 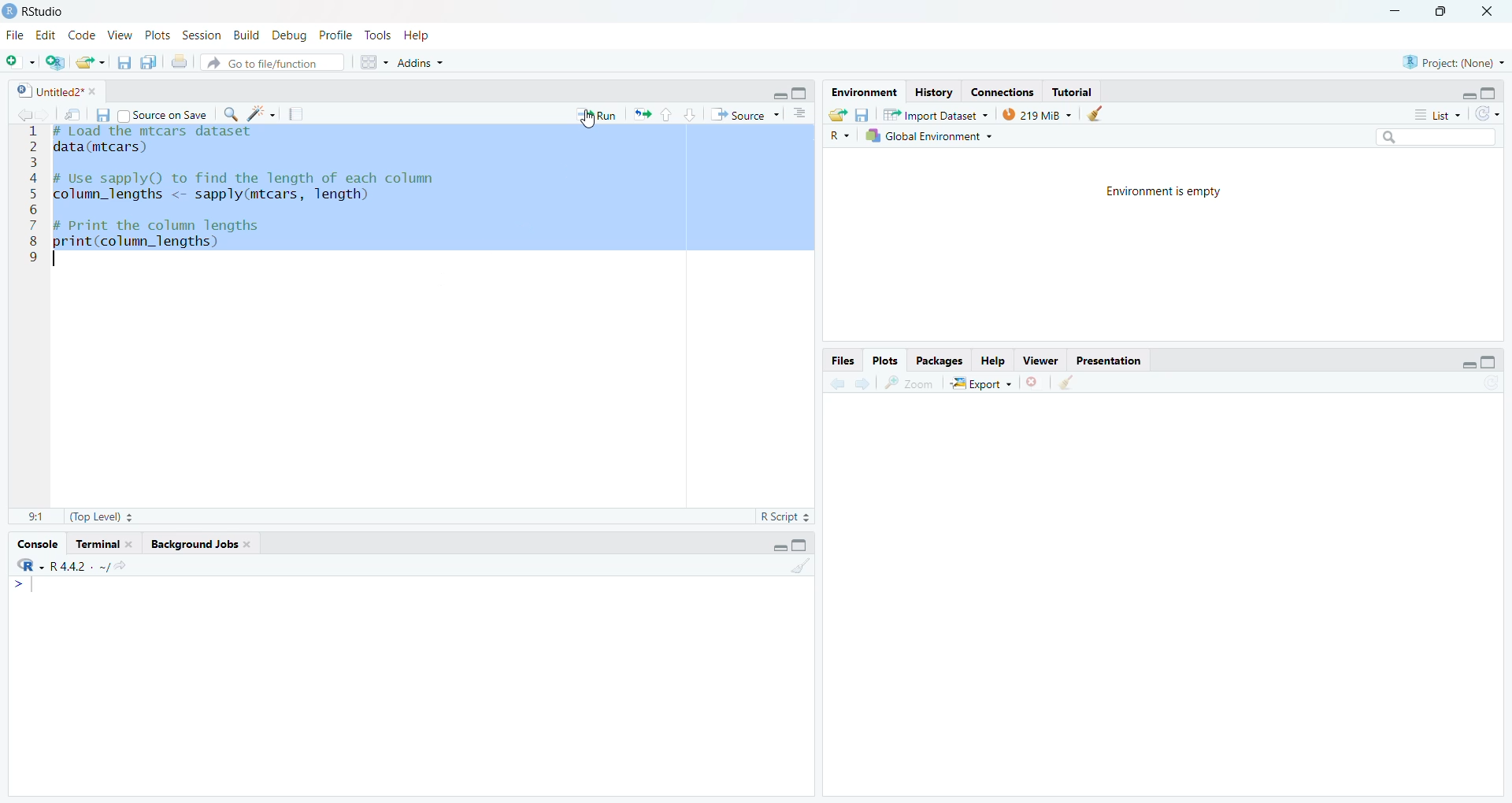 I want to click on Find and Replace, so click(x=231, y=114).